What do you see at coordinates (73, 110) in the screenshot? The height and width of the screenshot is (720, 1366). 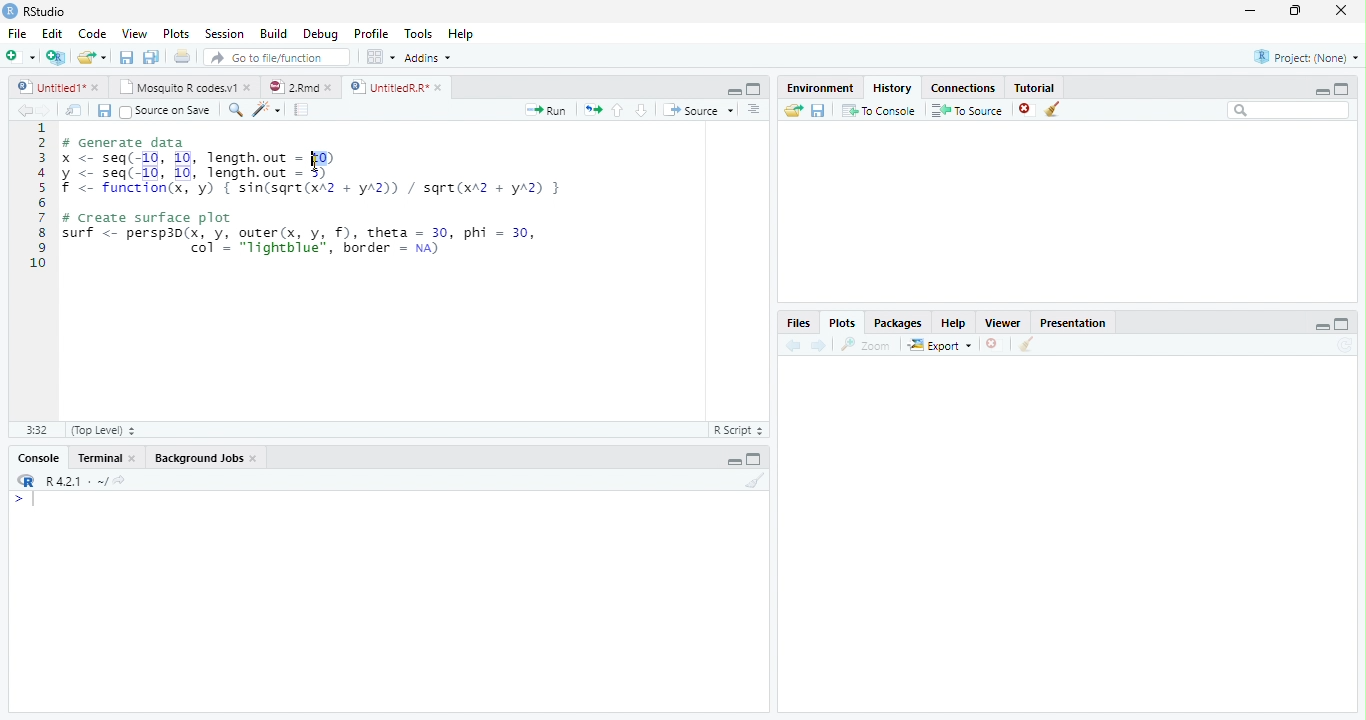 I see `Show in new window` at bounding box center [73, 110].